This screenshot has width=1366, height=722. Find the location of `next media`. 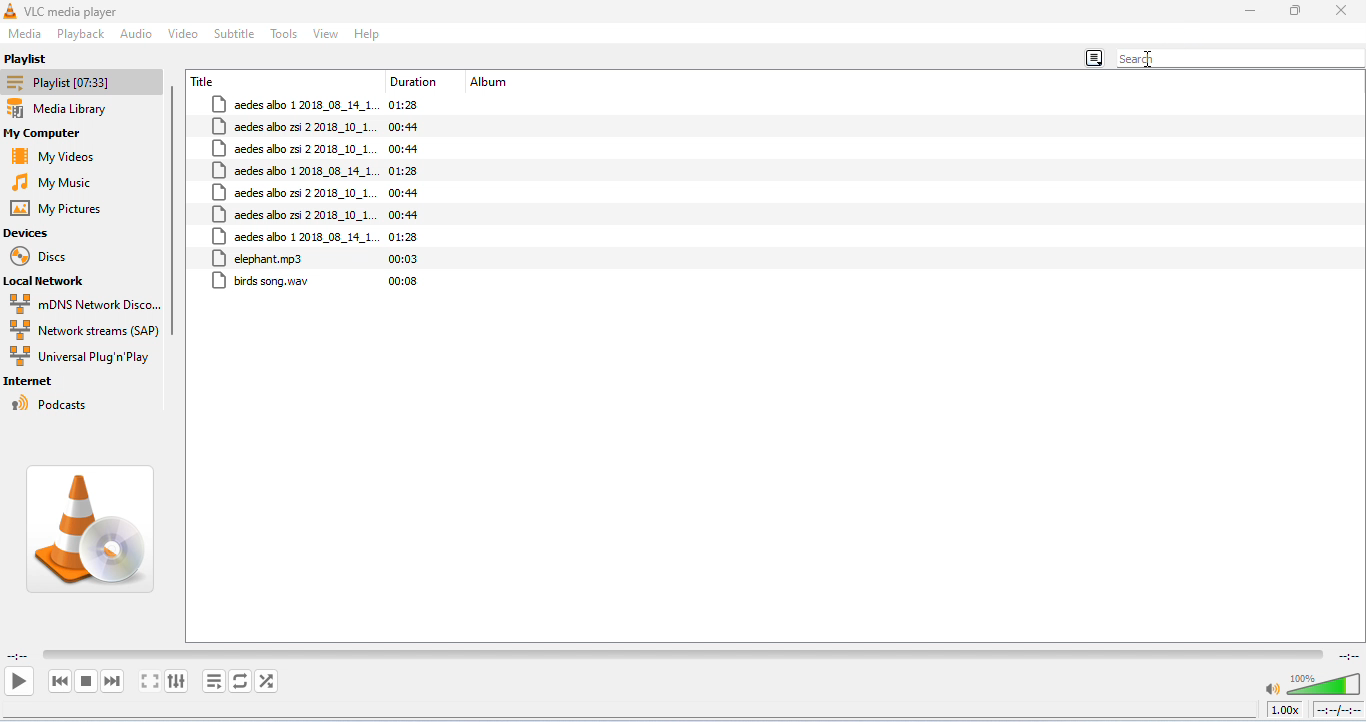

next media is located at coordinates (114, 682).